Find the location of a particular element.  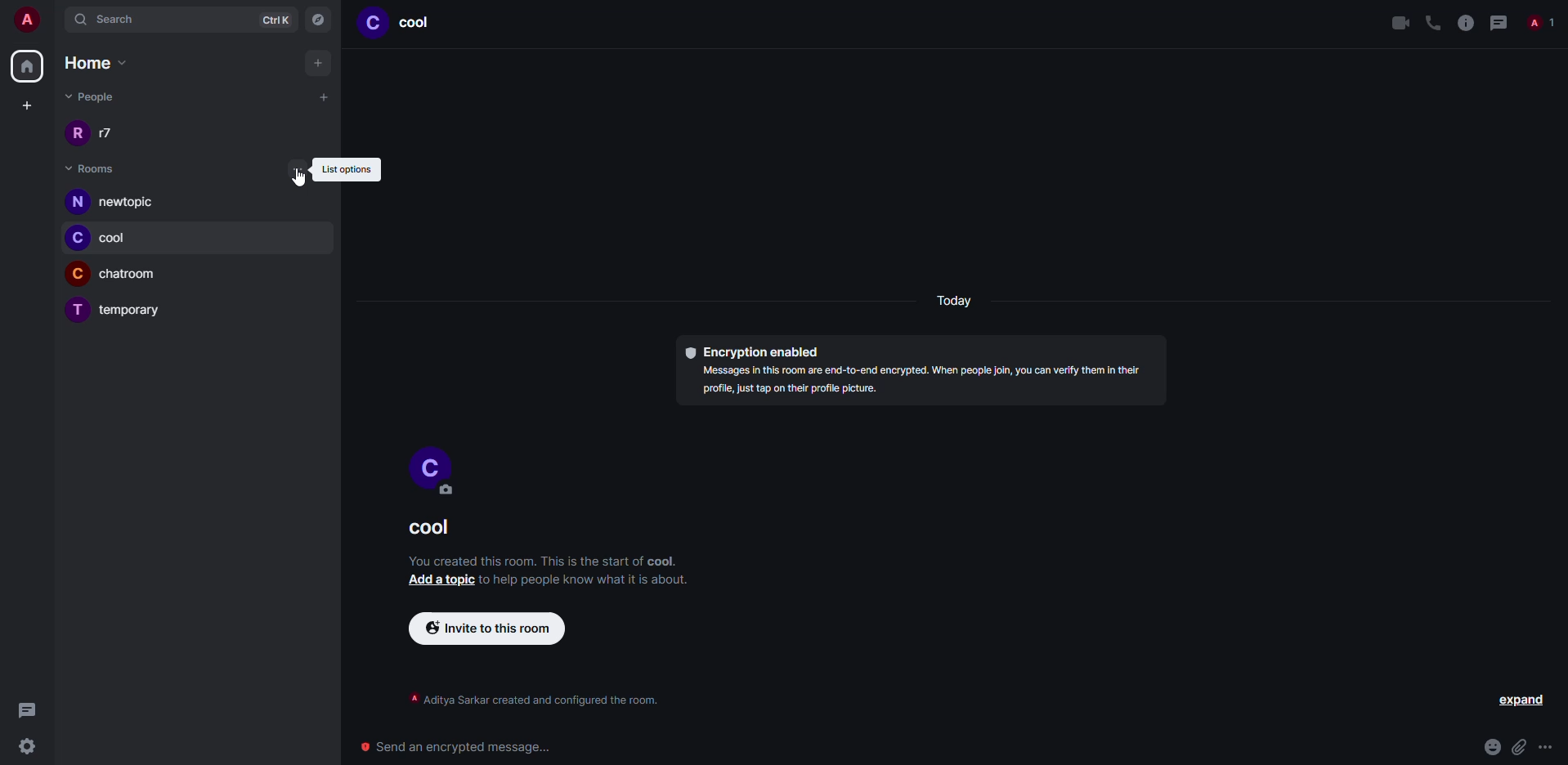

navigator is located at coordinates (320, 20).